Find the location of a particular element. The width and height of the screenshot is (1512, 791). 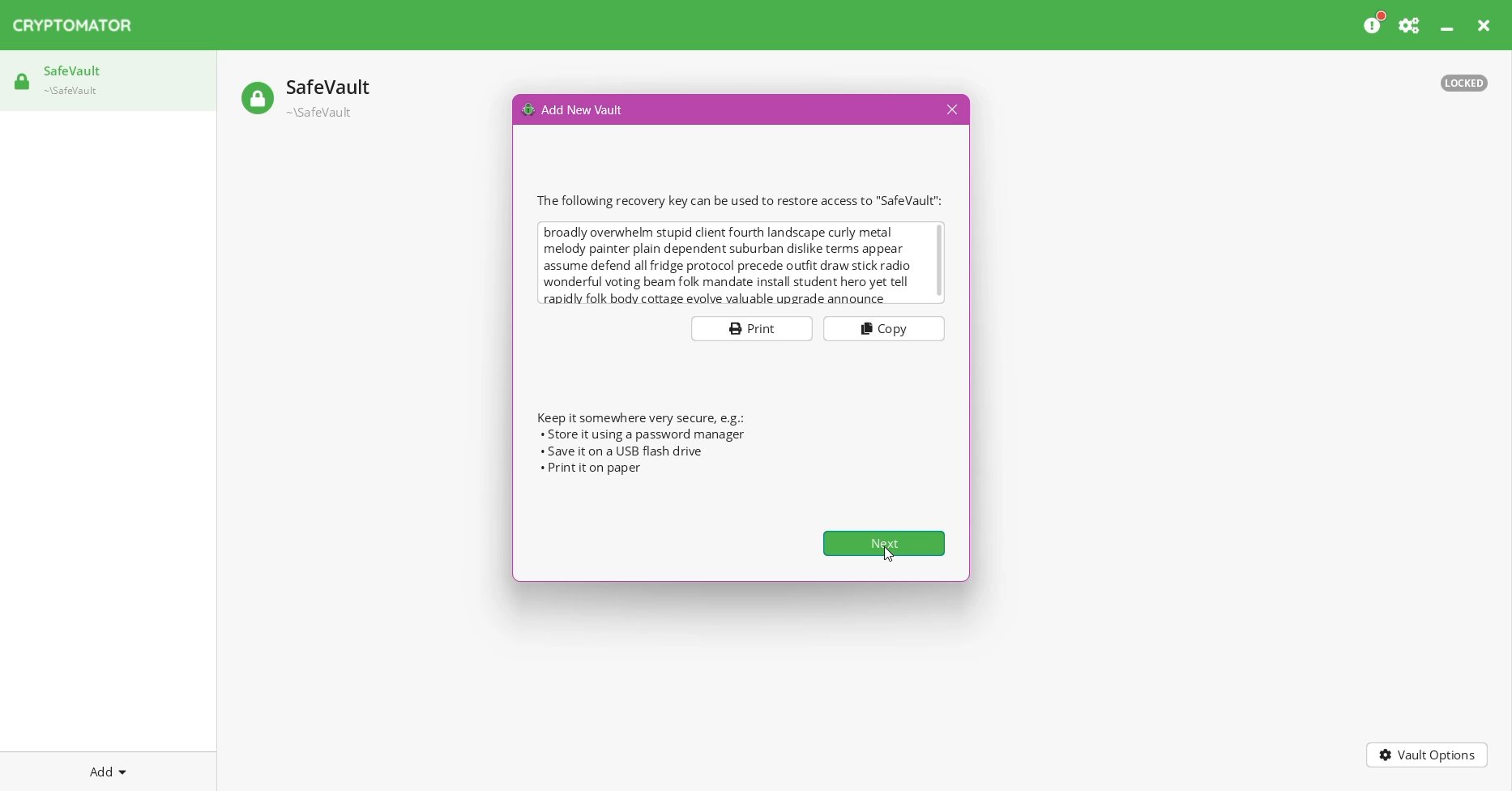

Add is located at coordinates (109, 768).